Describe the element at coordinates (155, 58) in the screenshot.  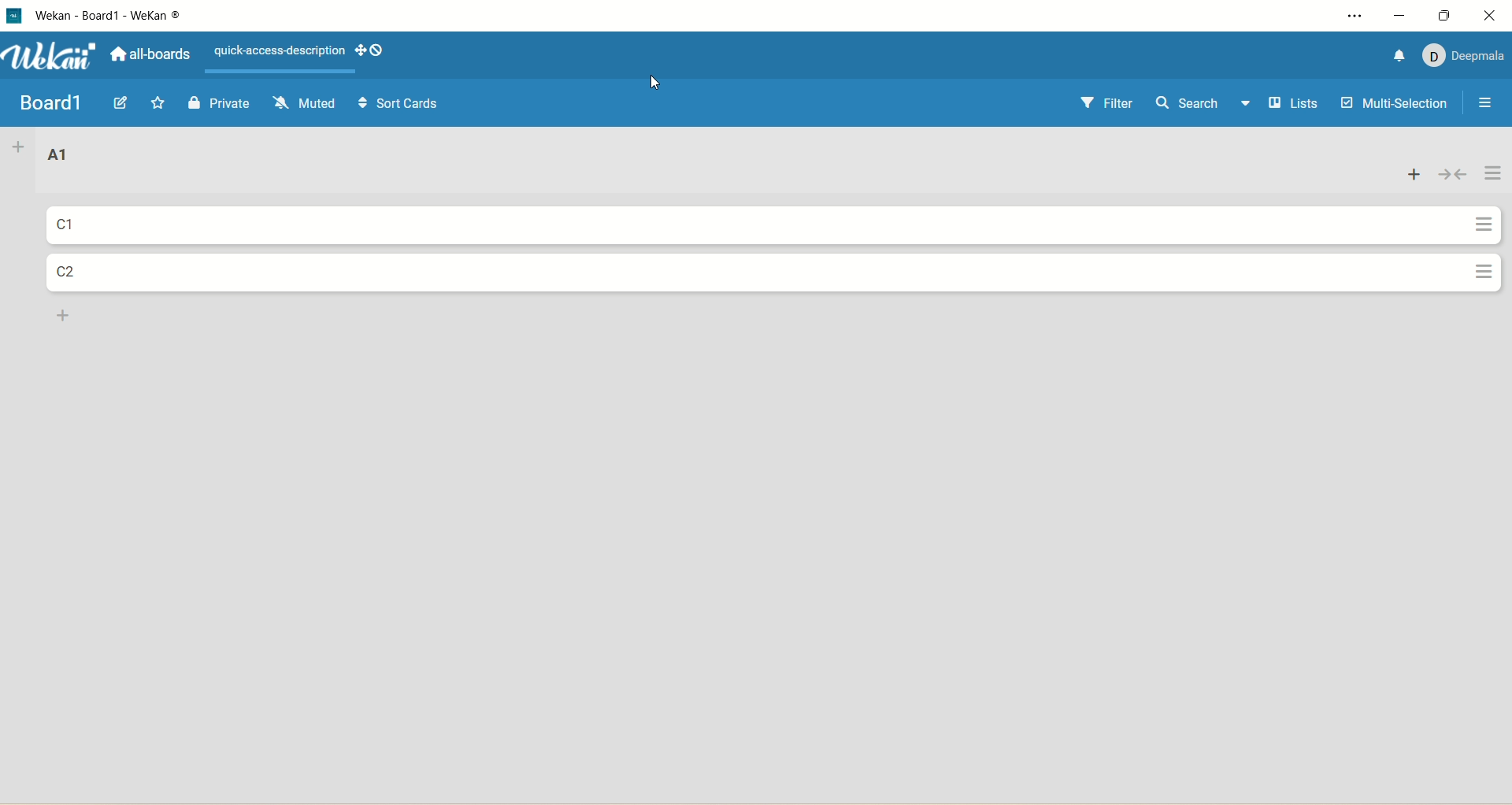
I see `all boards` at that location.